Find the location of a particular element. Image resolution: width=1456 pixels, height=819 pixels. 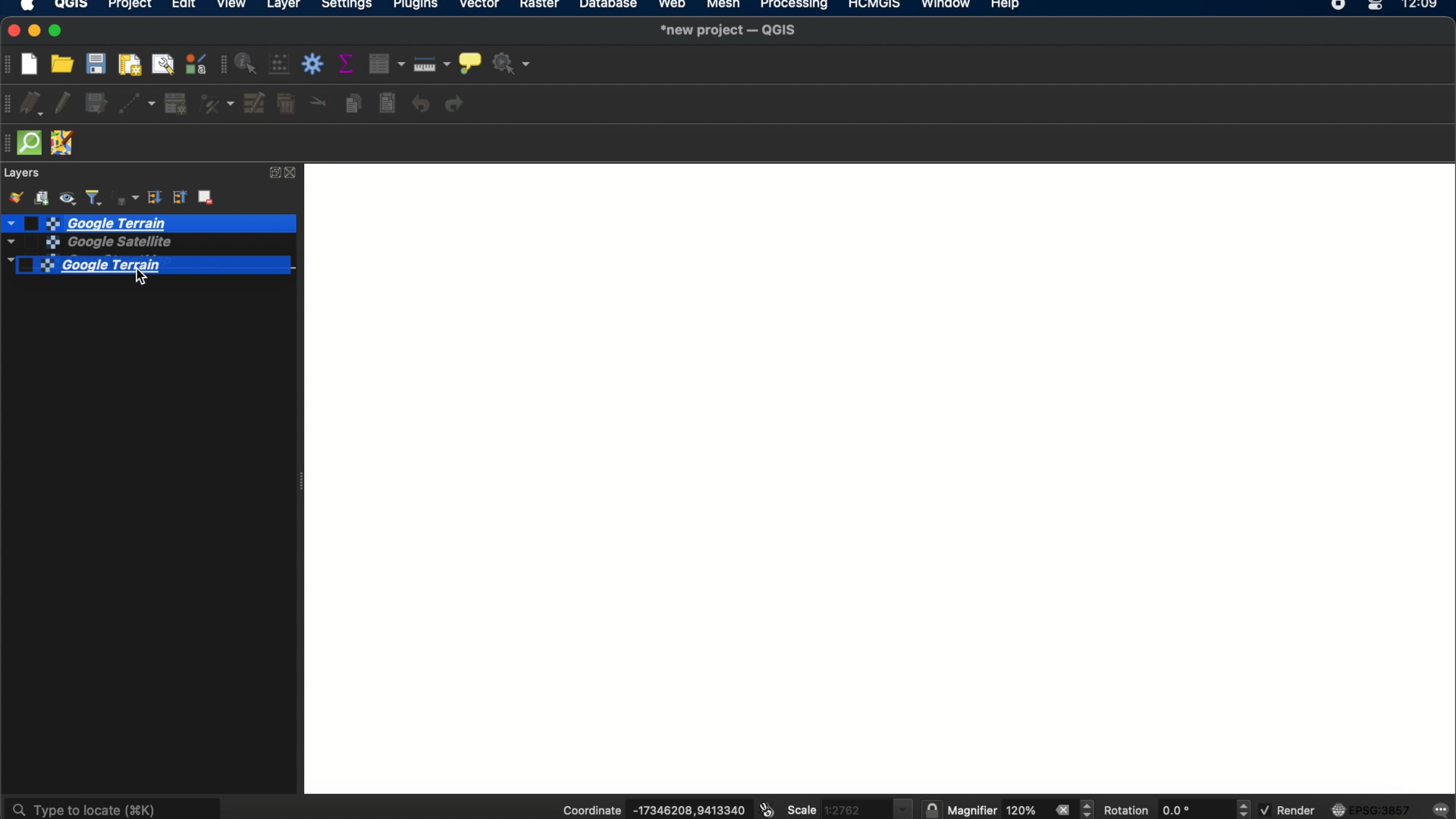

paste features is located at coordinates (389, 104).